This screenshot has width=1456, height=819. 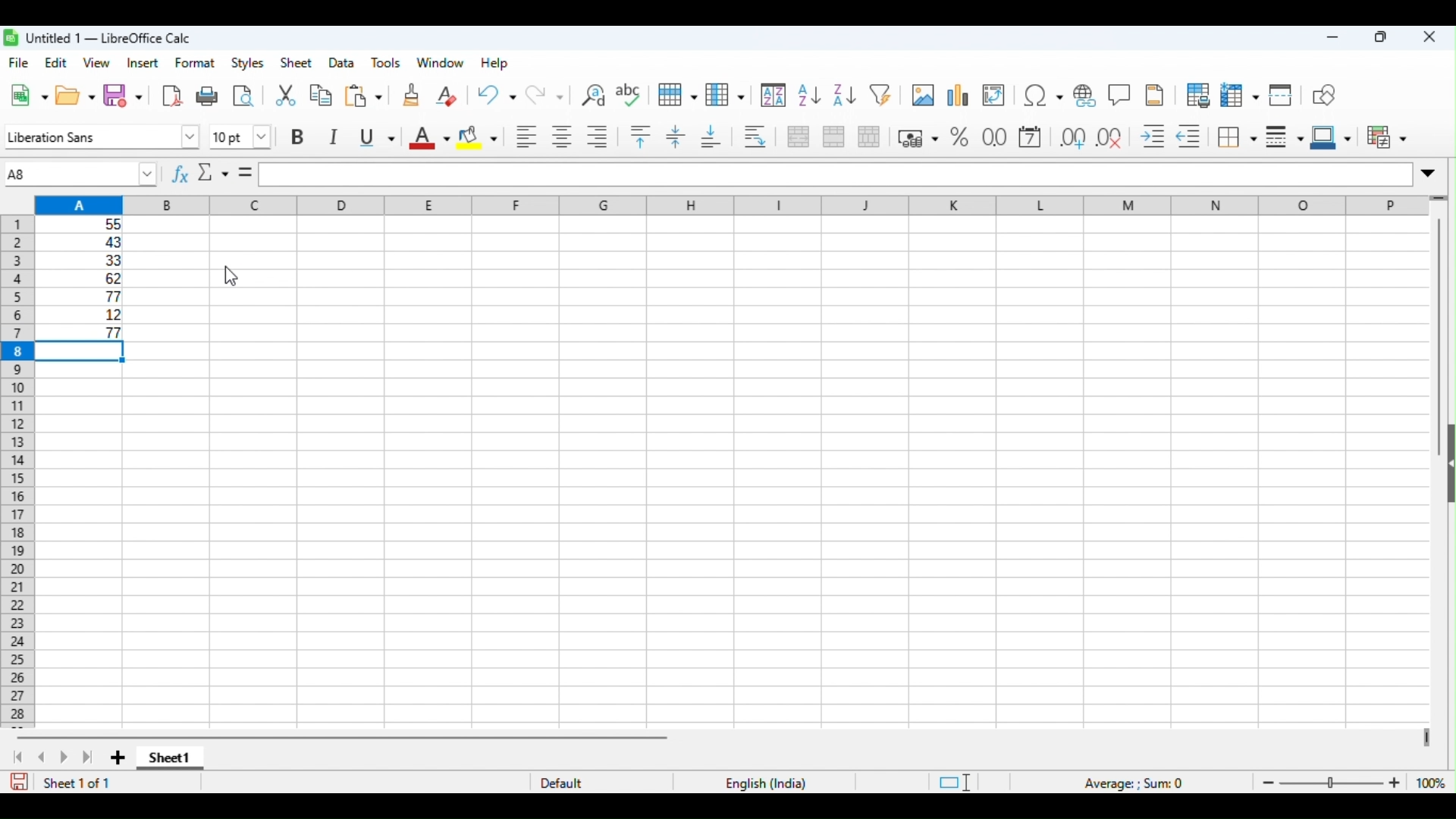 I want to click on tools, so click(x=387, y=63).